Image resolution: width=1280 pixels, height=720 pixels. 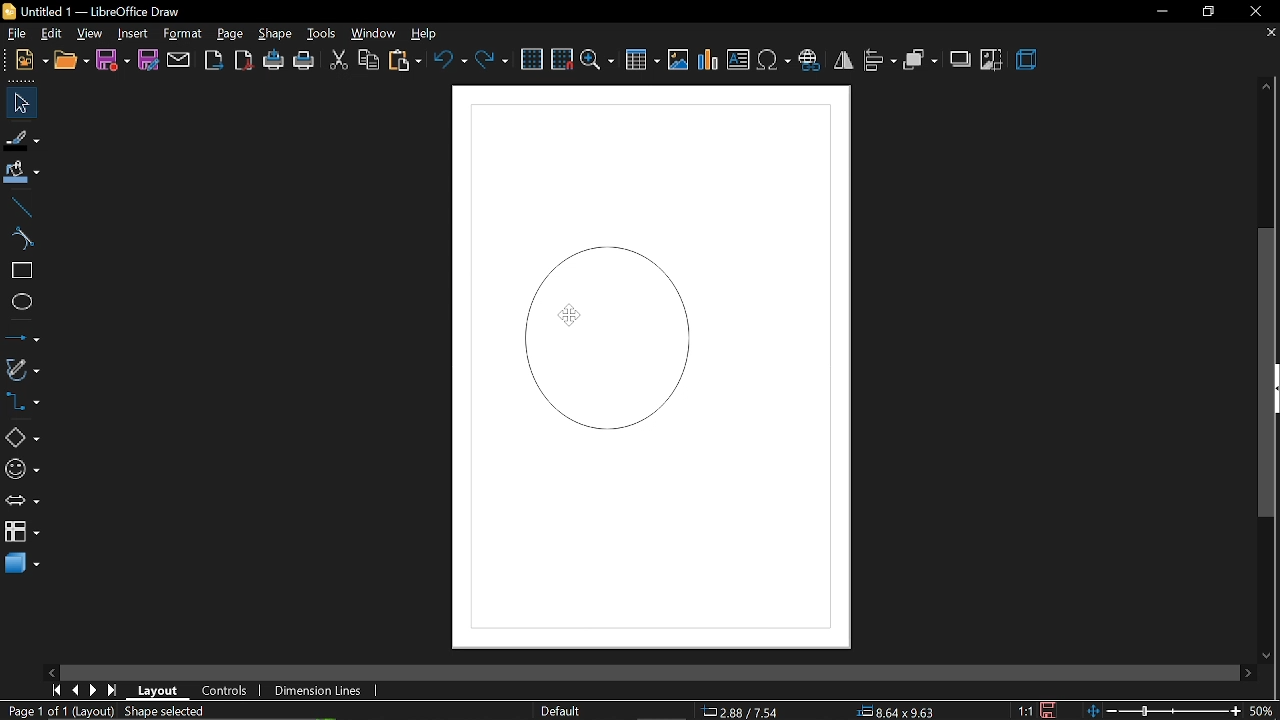 I want to click on edit, so click(x=50, y=34).